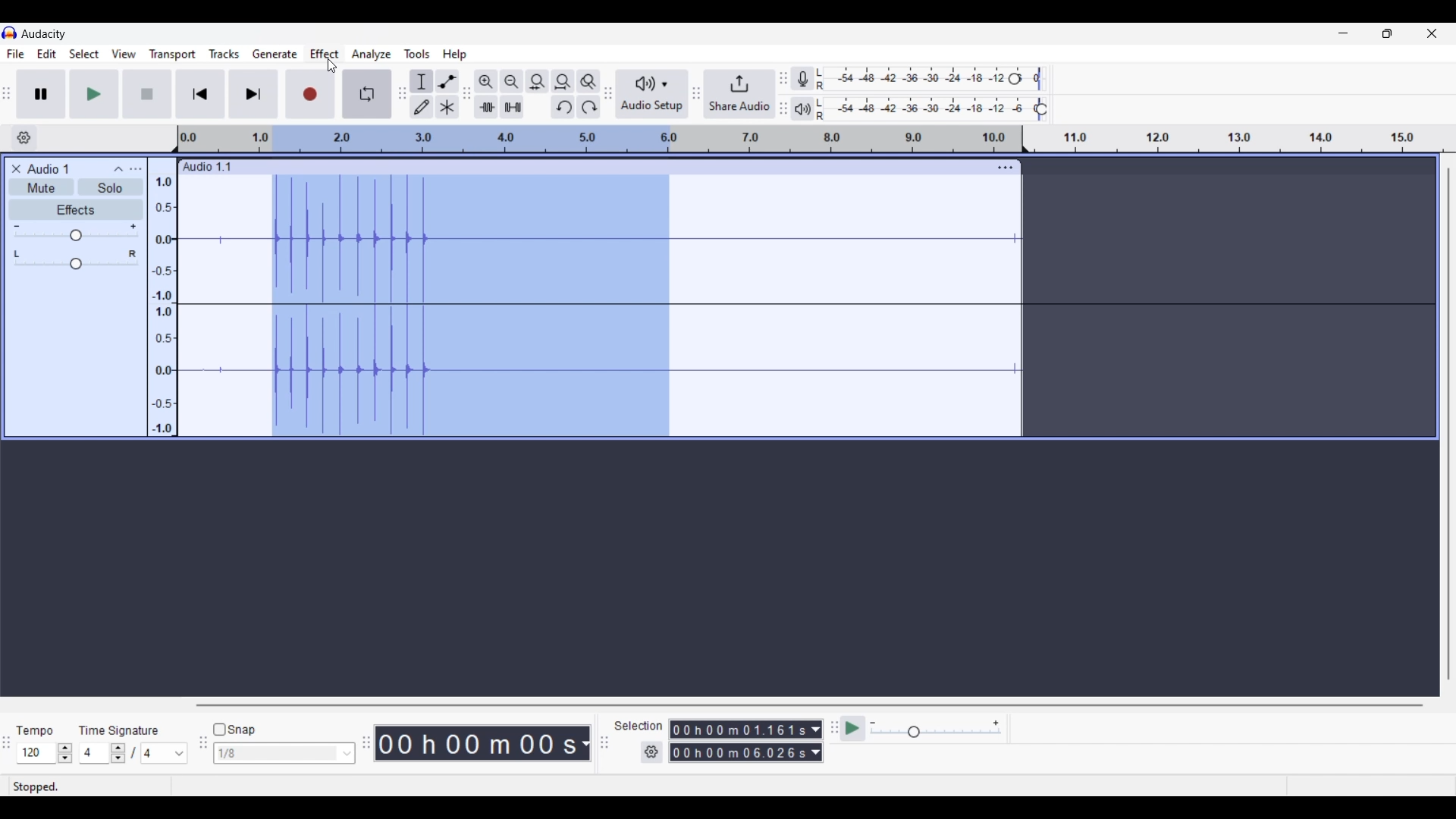  I want to click on Minimize, so click(1343, 33).